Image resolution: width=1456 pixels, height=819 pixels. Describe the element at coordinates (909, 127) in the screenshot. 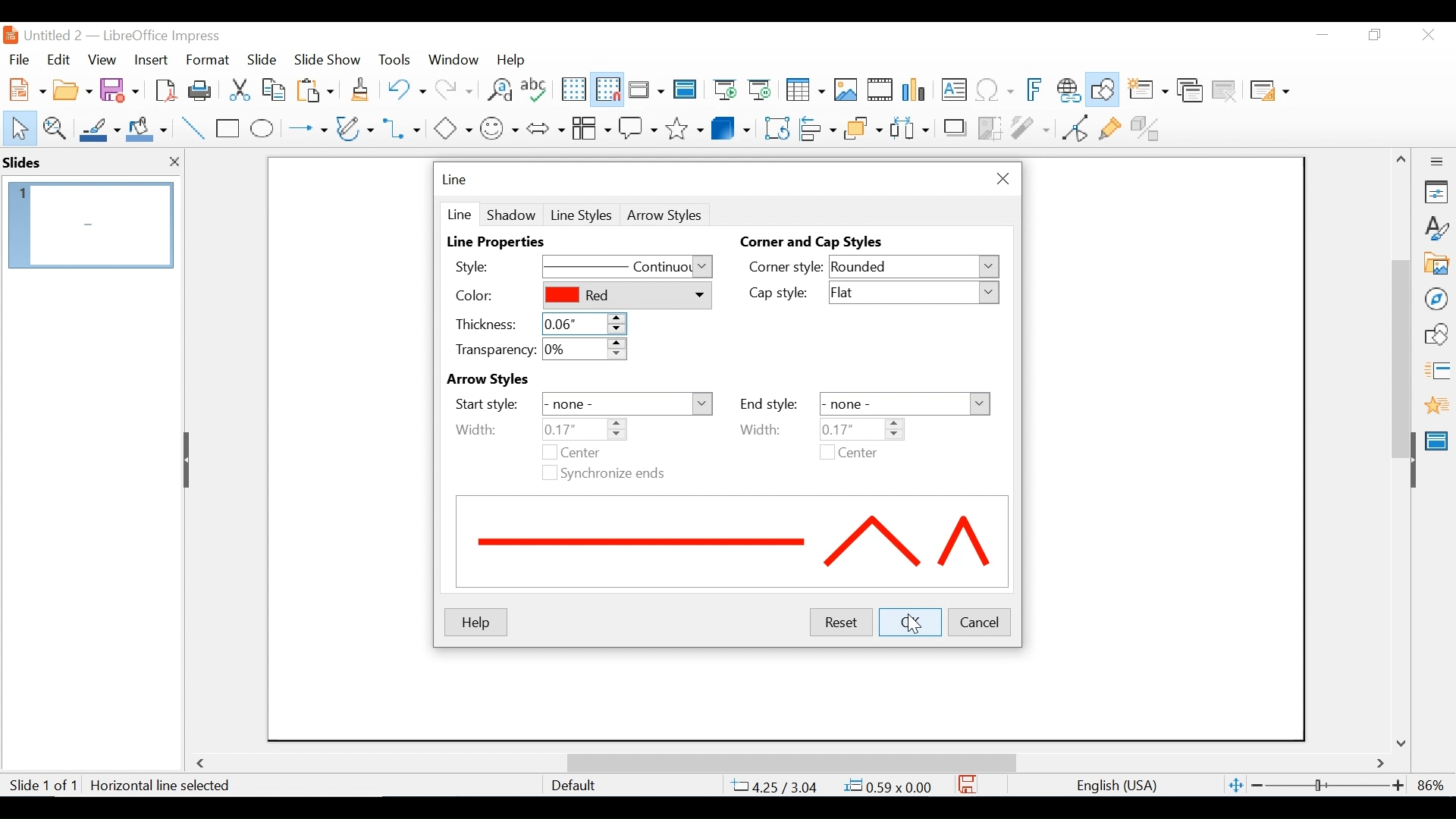

I see `Select atleast three images to Distribute` at that location.